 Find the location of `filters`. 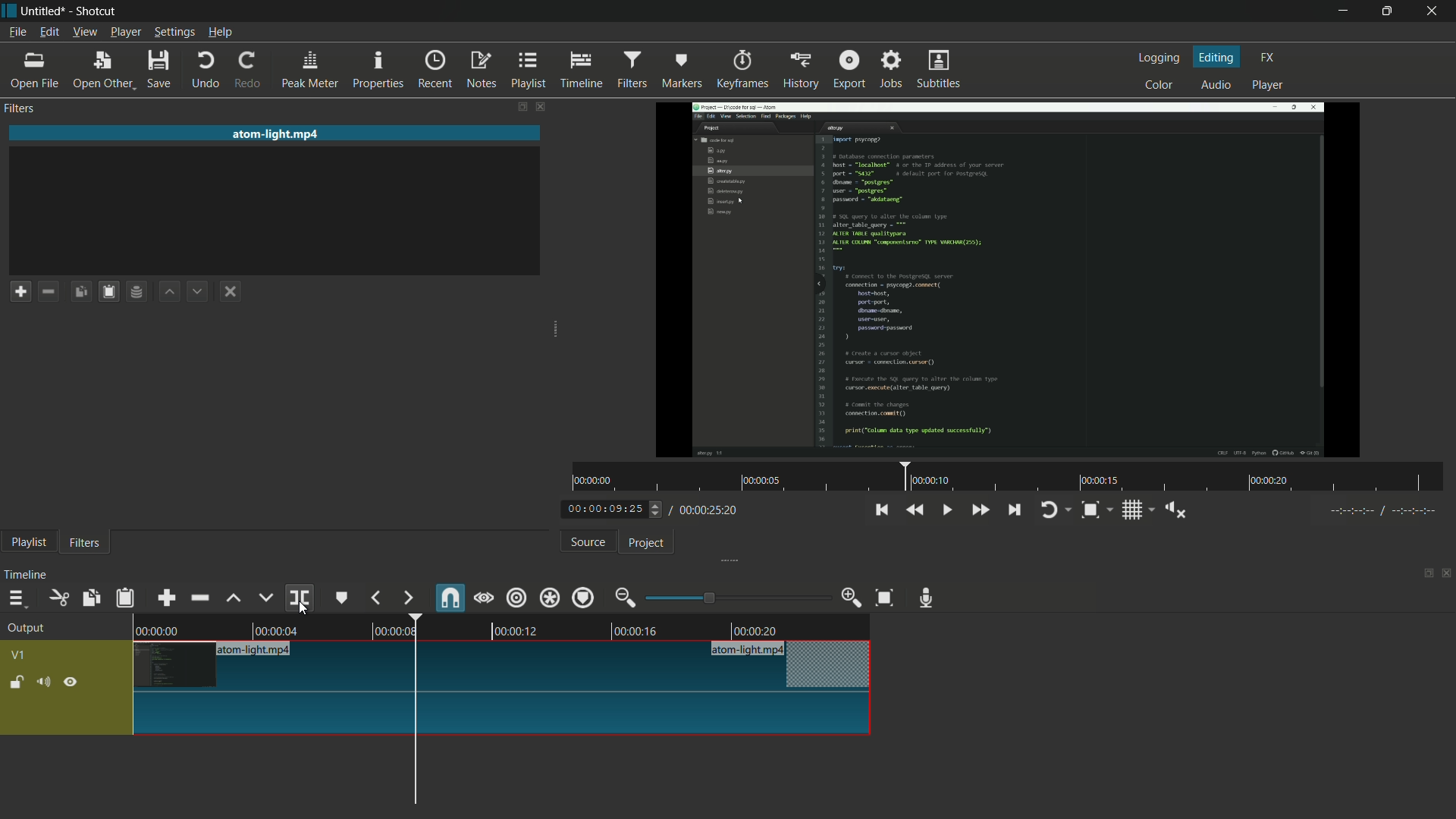

filters is located at coordinates (85, 544).